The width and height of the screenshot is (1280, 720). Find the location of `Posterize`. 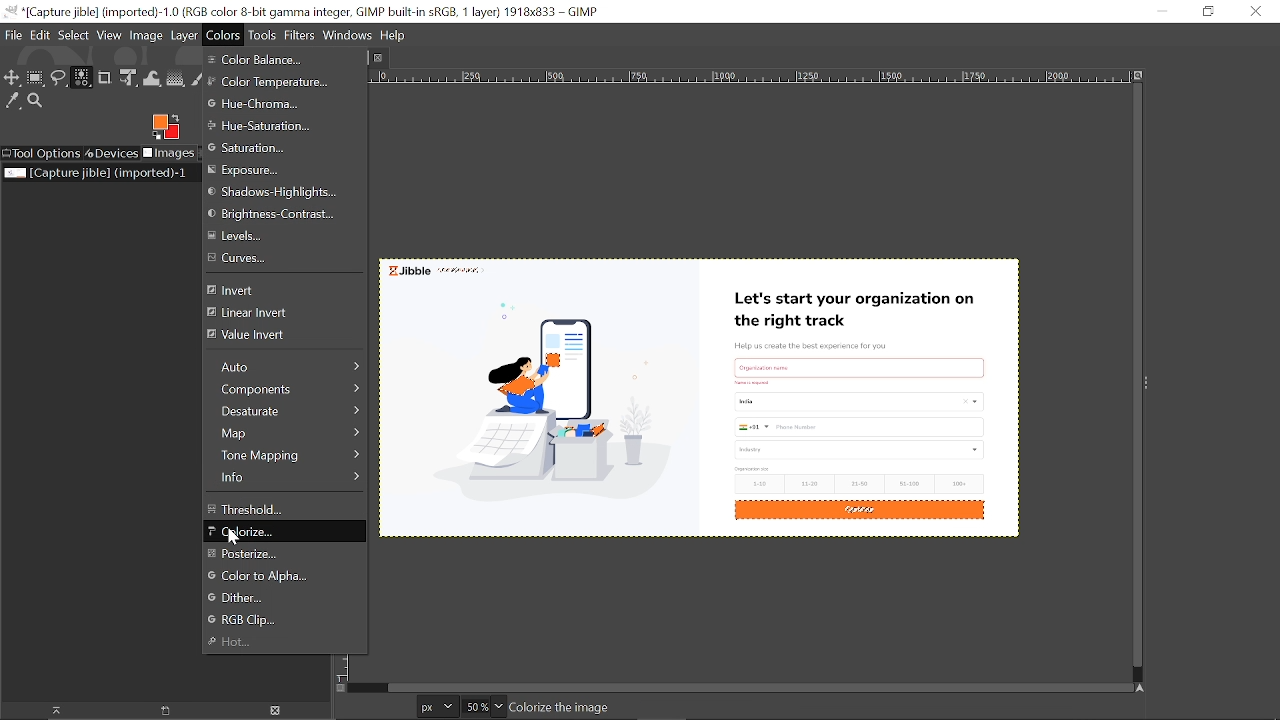

Posterize is located at coordinates (282, 554).